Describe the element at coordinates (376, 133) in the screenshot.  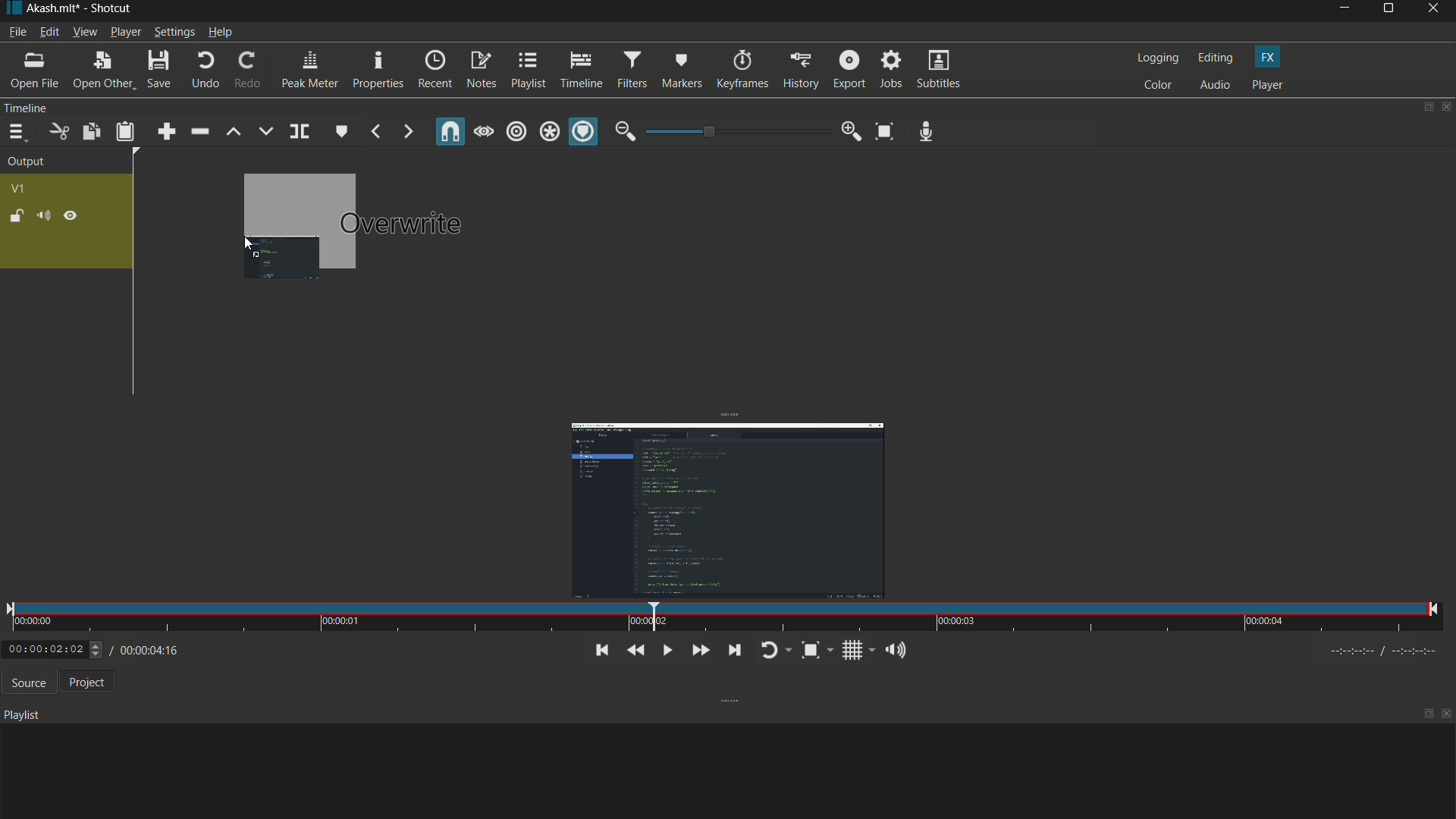
I see `previous marker` at that location.